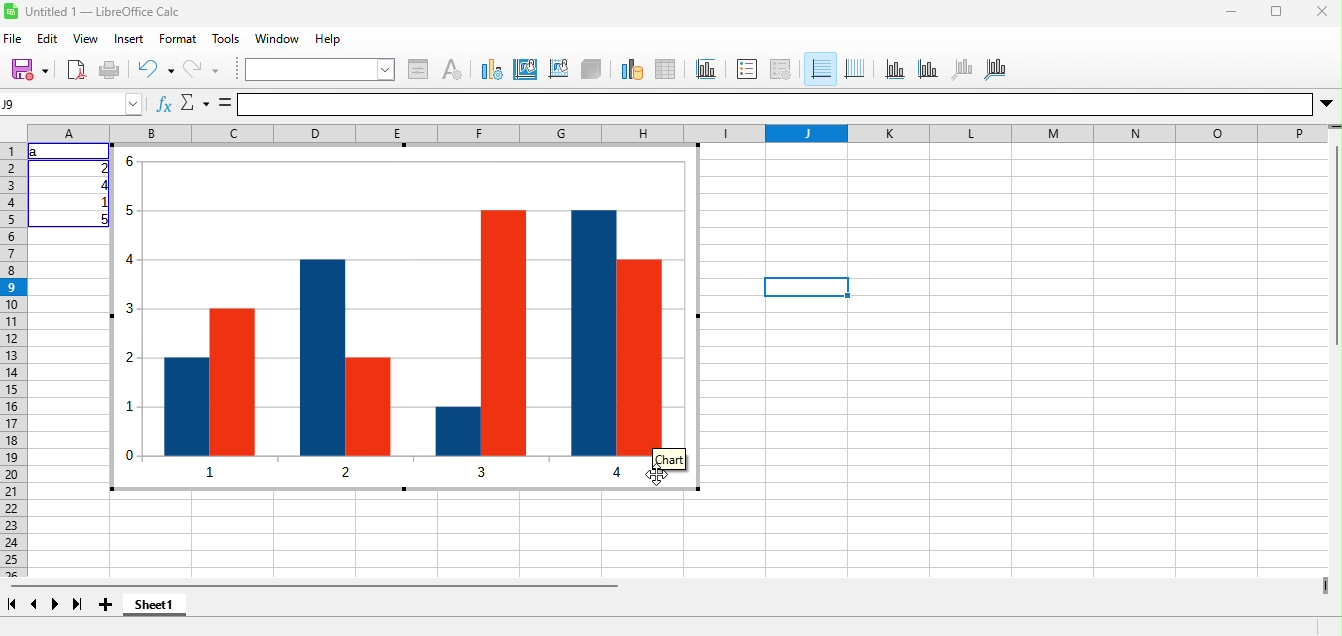 The image size is (1342, 636). I want to click on chart type, so click(491, 70).